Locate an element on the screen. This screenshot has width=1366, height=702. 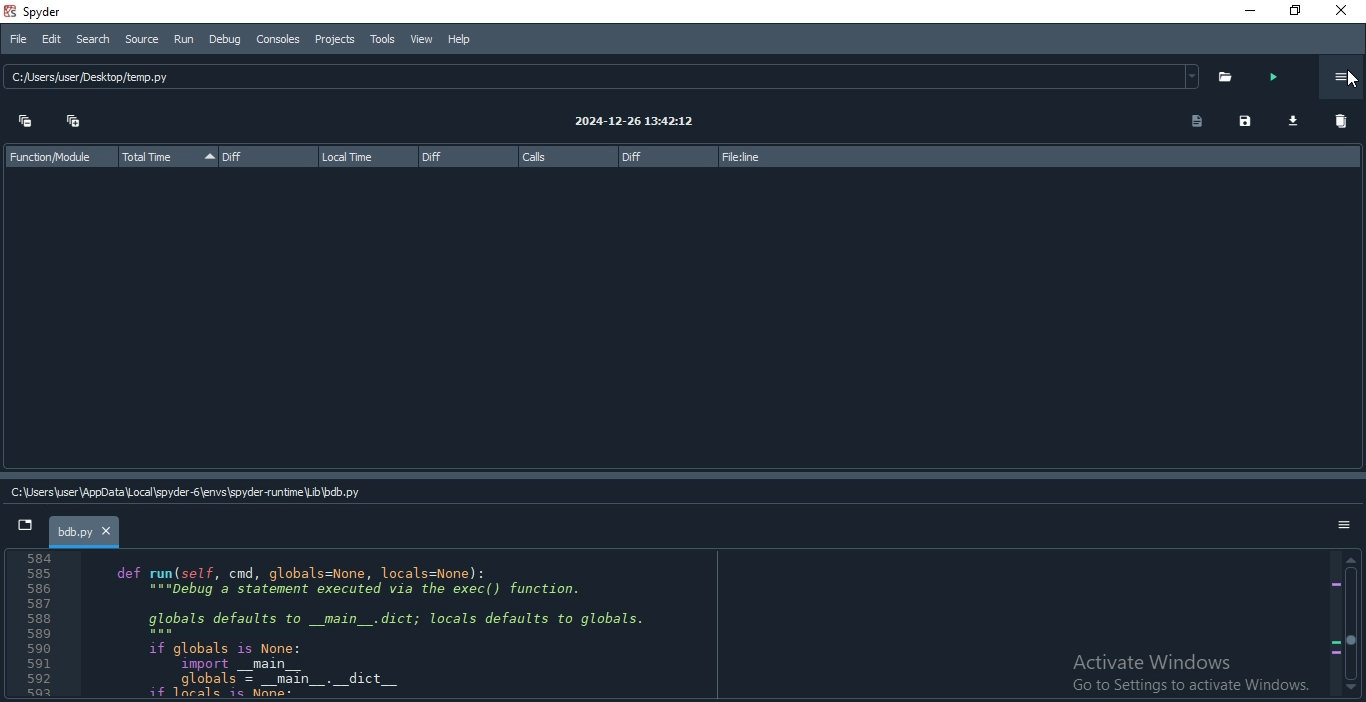
delete all is located at coordinates (1342, 122).